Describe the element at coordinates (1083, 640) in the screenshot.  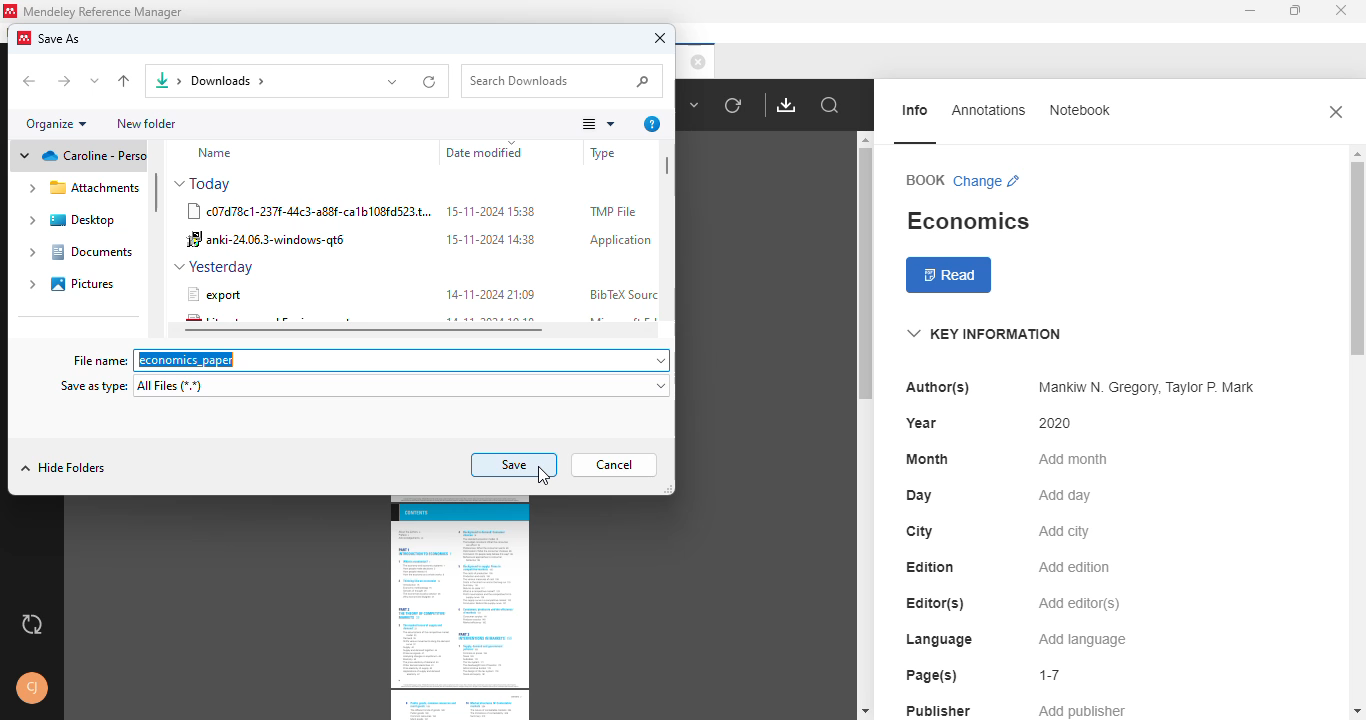
I see `add language` at that location.